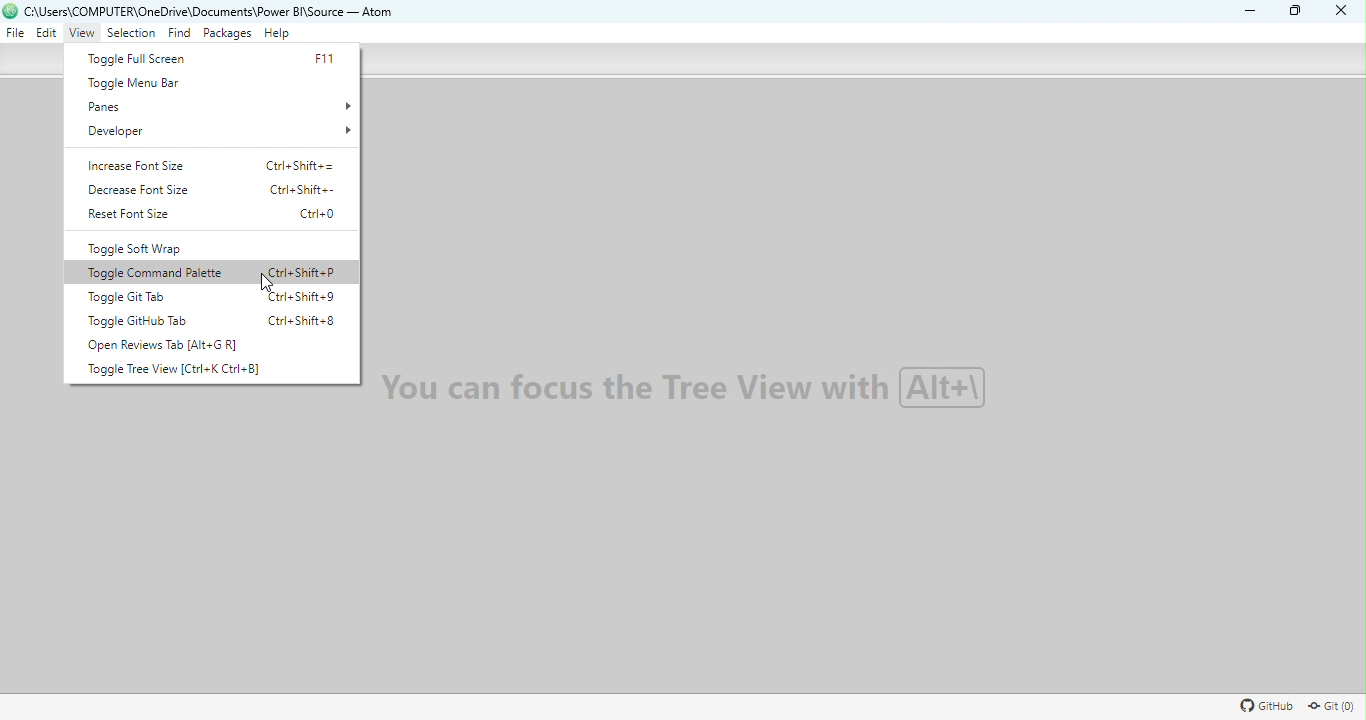  Describe the element at coordinates (187, 343) in the screenshot. I see `Open reviews tab` at that location.